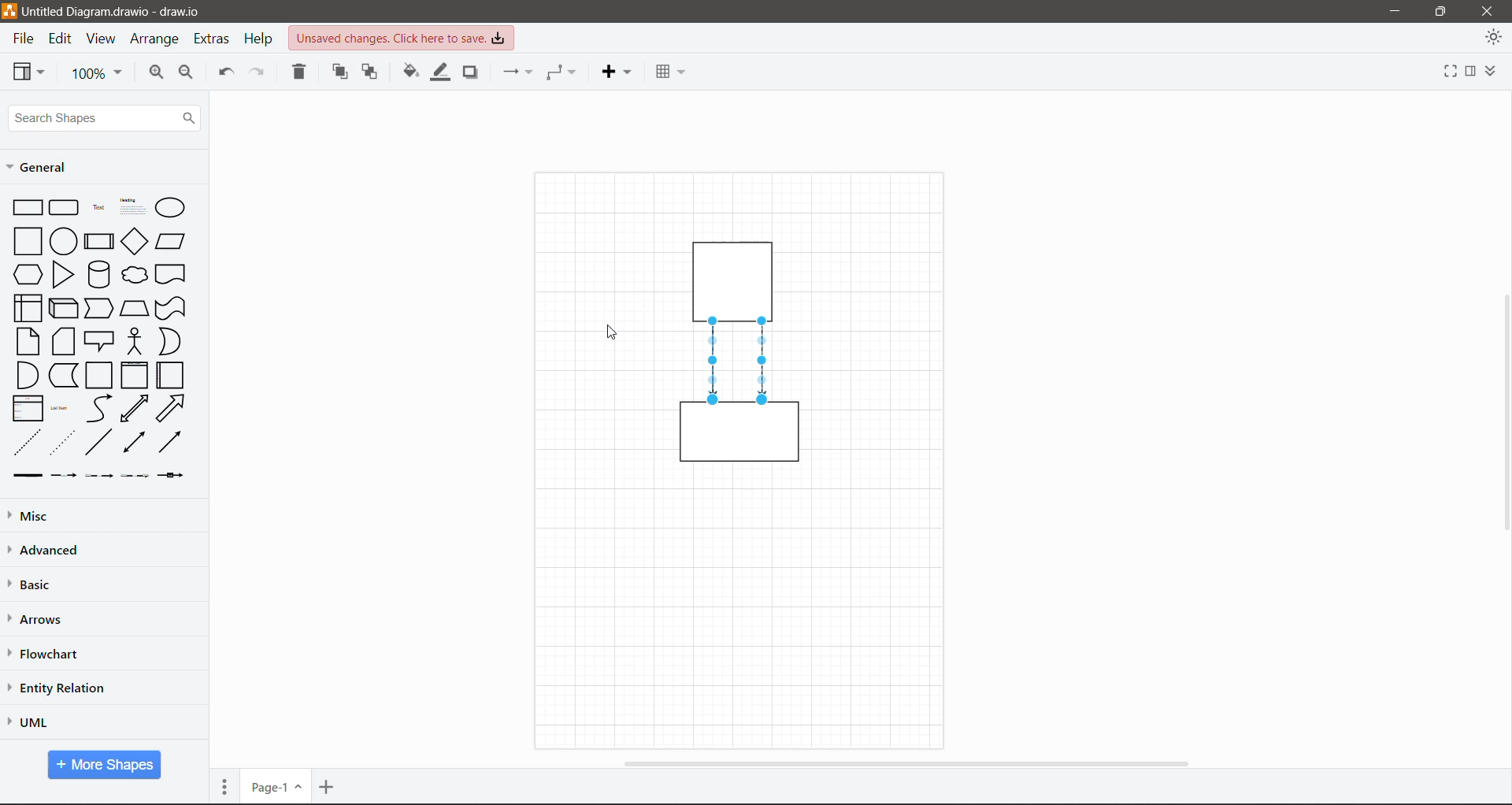 The width and height of the screenshot is (1512, 805). Describe the element at coordinates (99, 442) in the screenshot. I see `line` at that location.